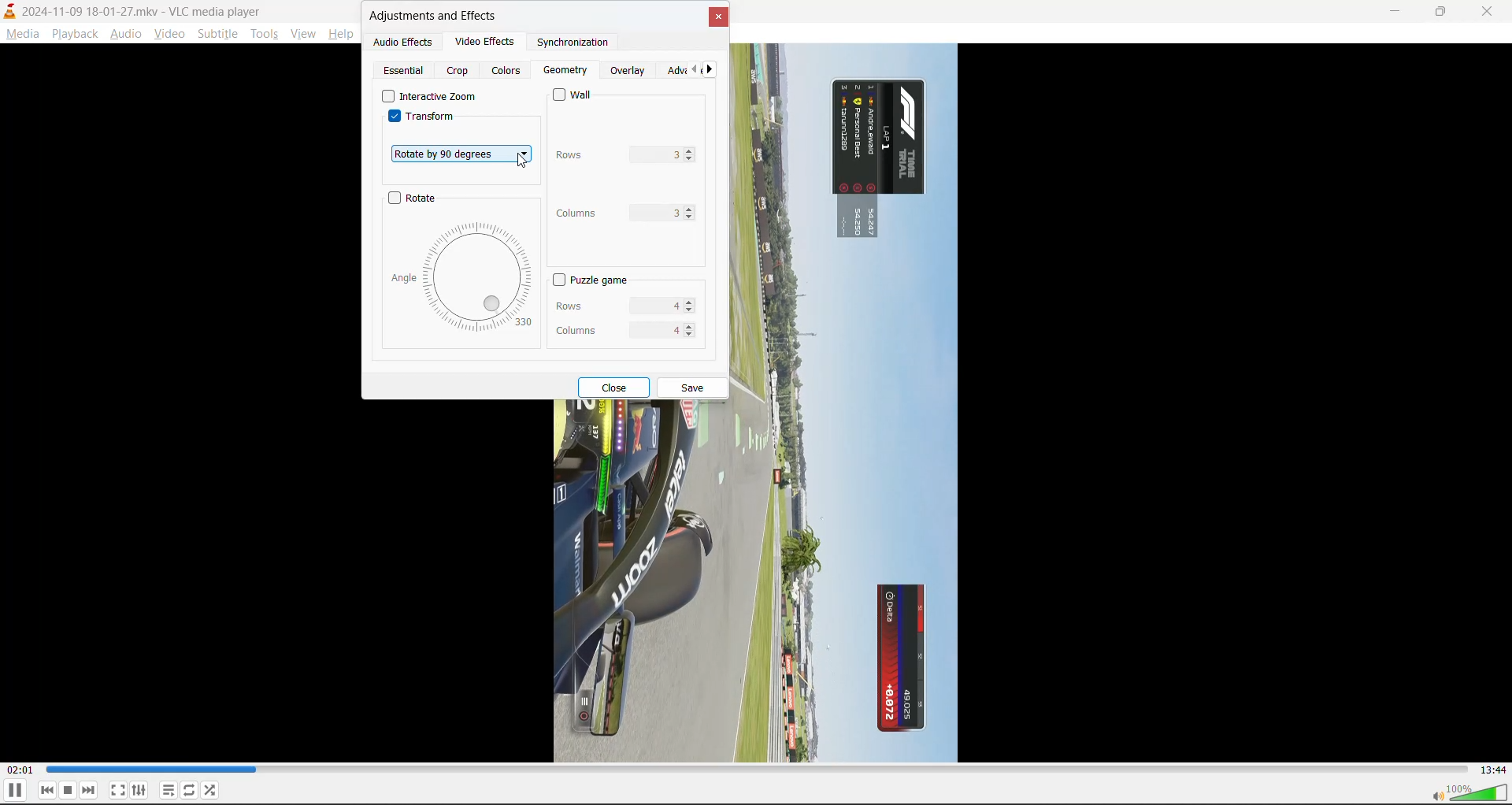 This screenshot has height=805, width=1512. Describe the element at coordinates (691, 217) in the screenshot. I see `decrease` at that location.